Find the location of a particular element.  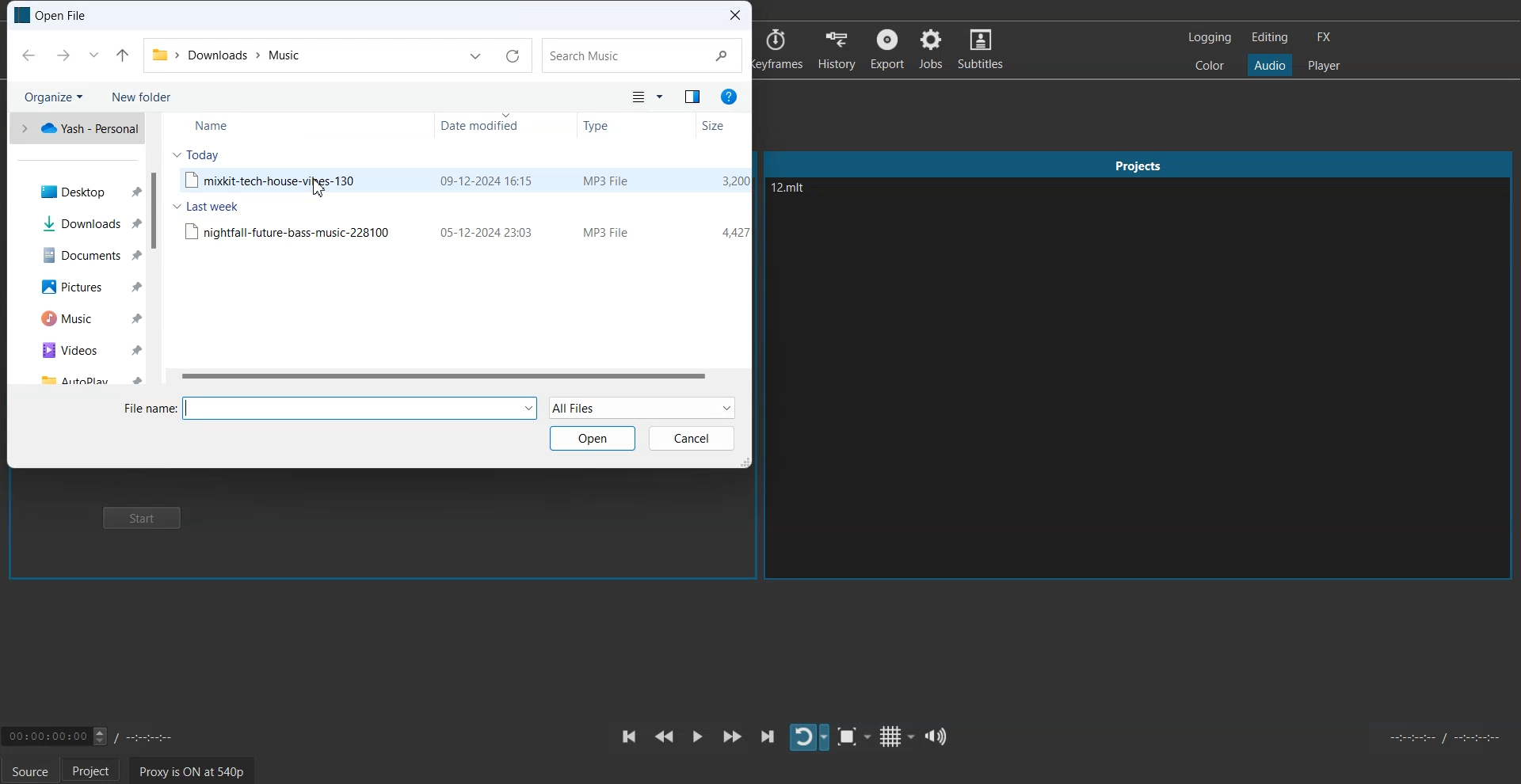

Color is located at coordinates (1210, 66).